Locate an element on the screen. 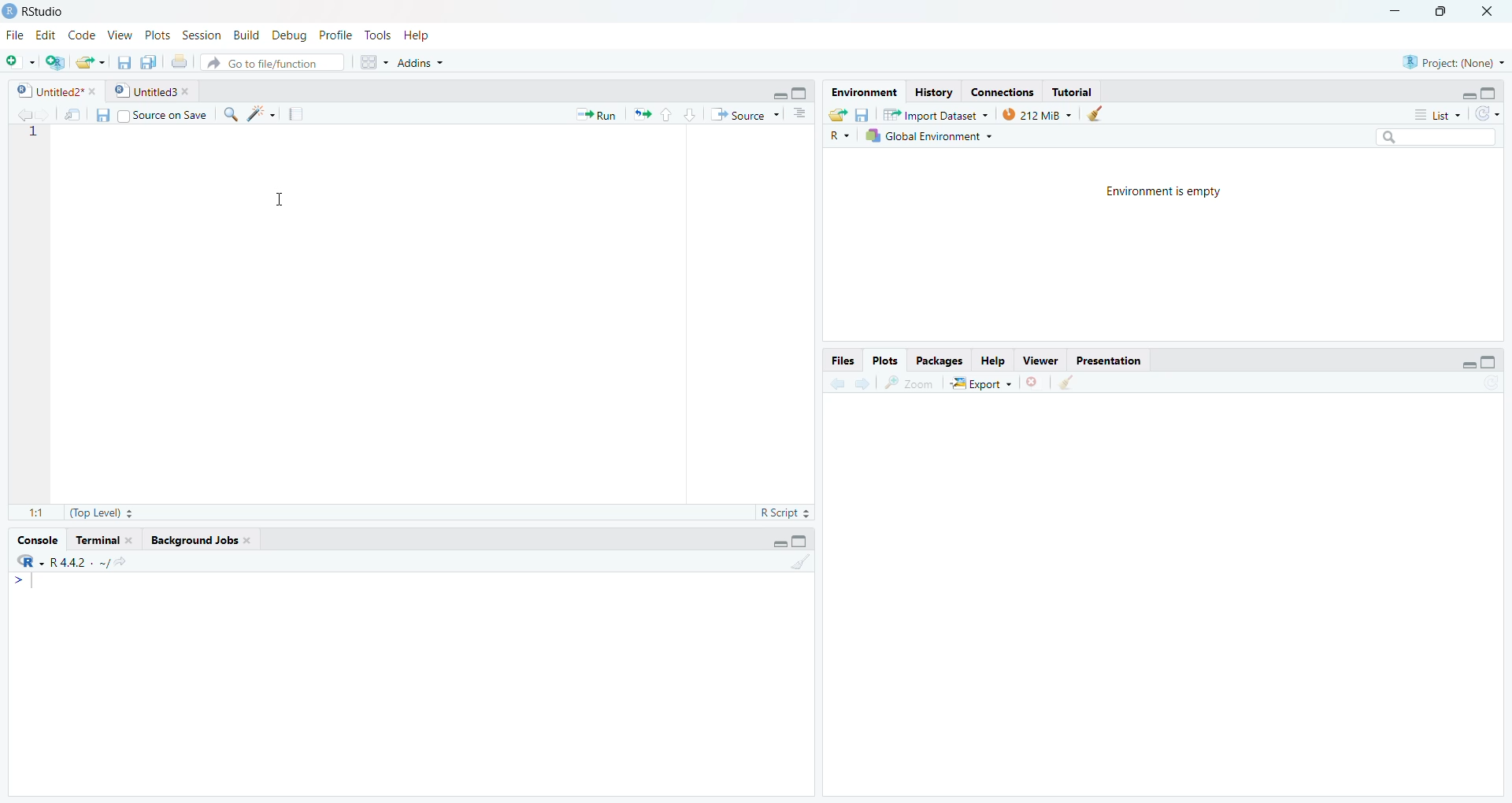 The width and height of the screenshot is (1512, 803). CURSOR is located at coordinates (278, 202).